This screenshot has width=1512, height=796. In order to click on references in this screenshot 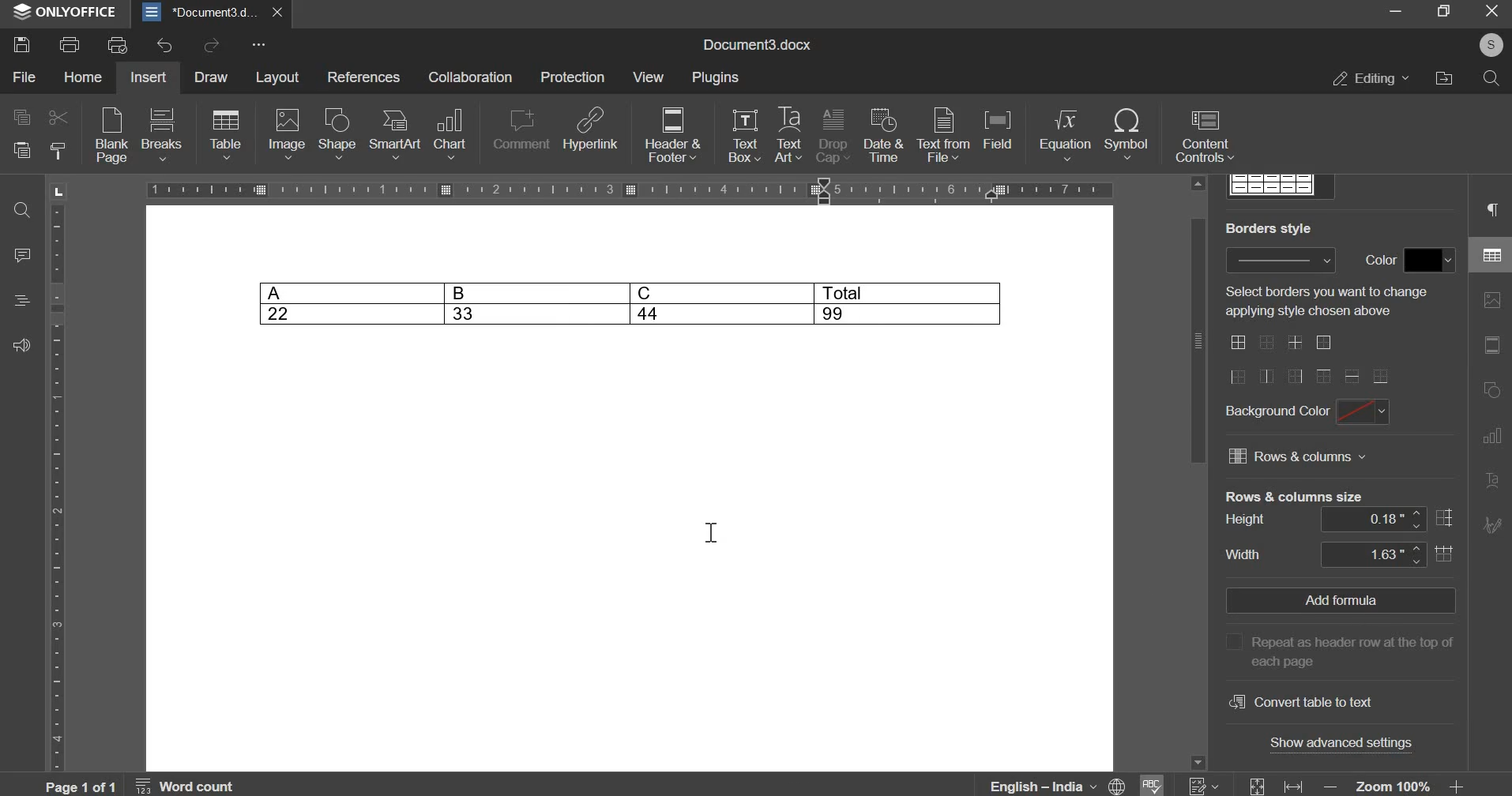, I will do `click(365, 78)`.